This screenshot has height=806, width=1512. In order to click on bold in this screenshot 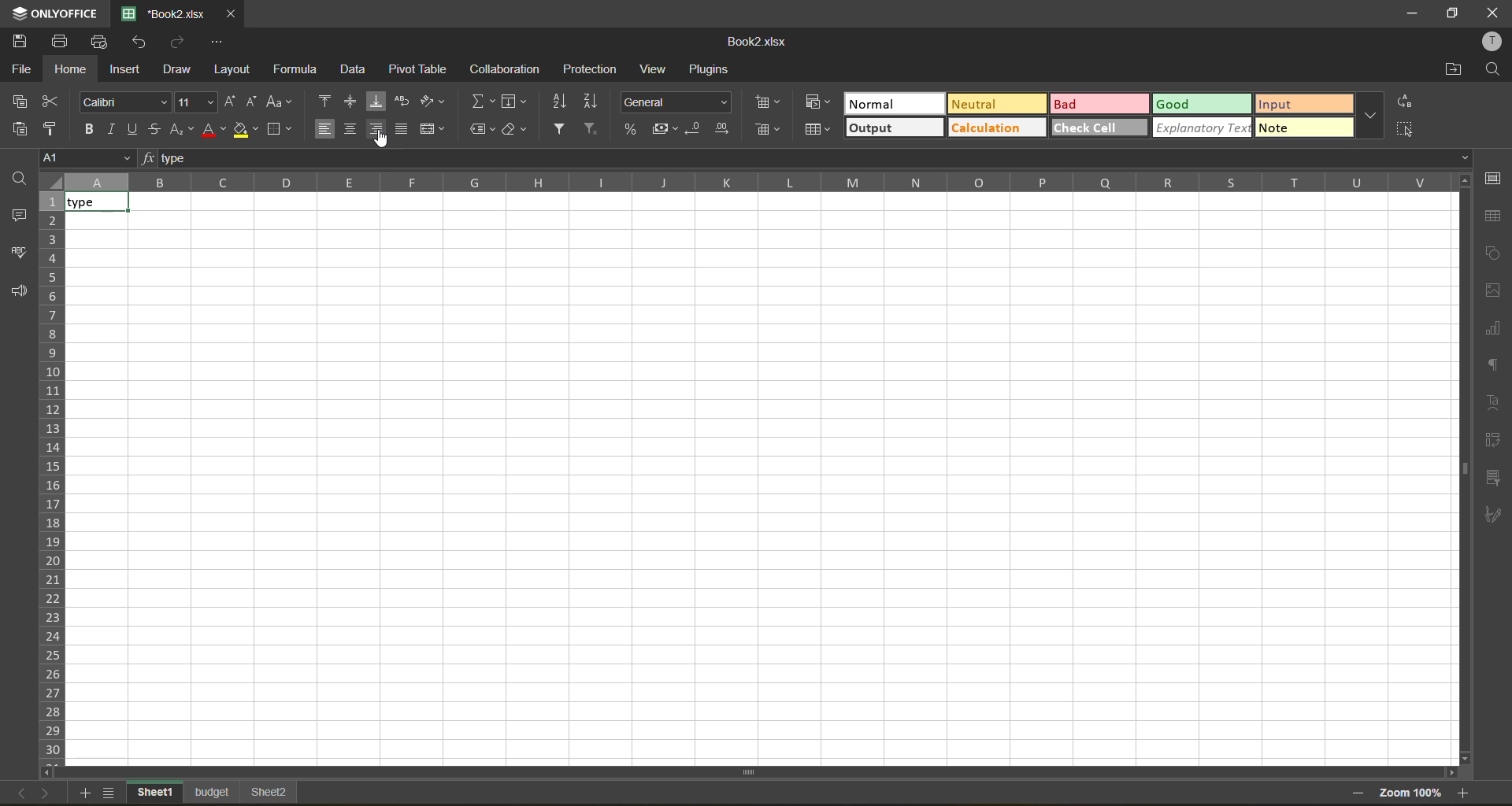, I will do `click(94, 128)`.